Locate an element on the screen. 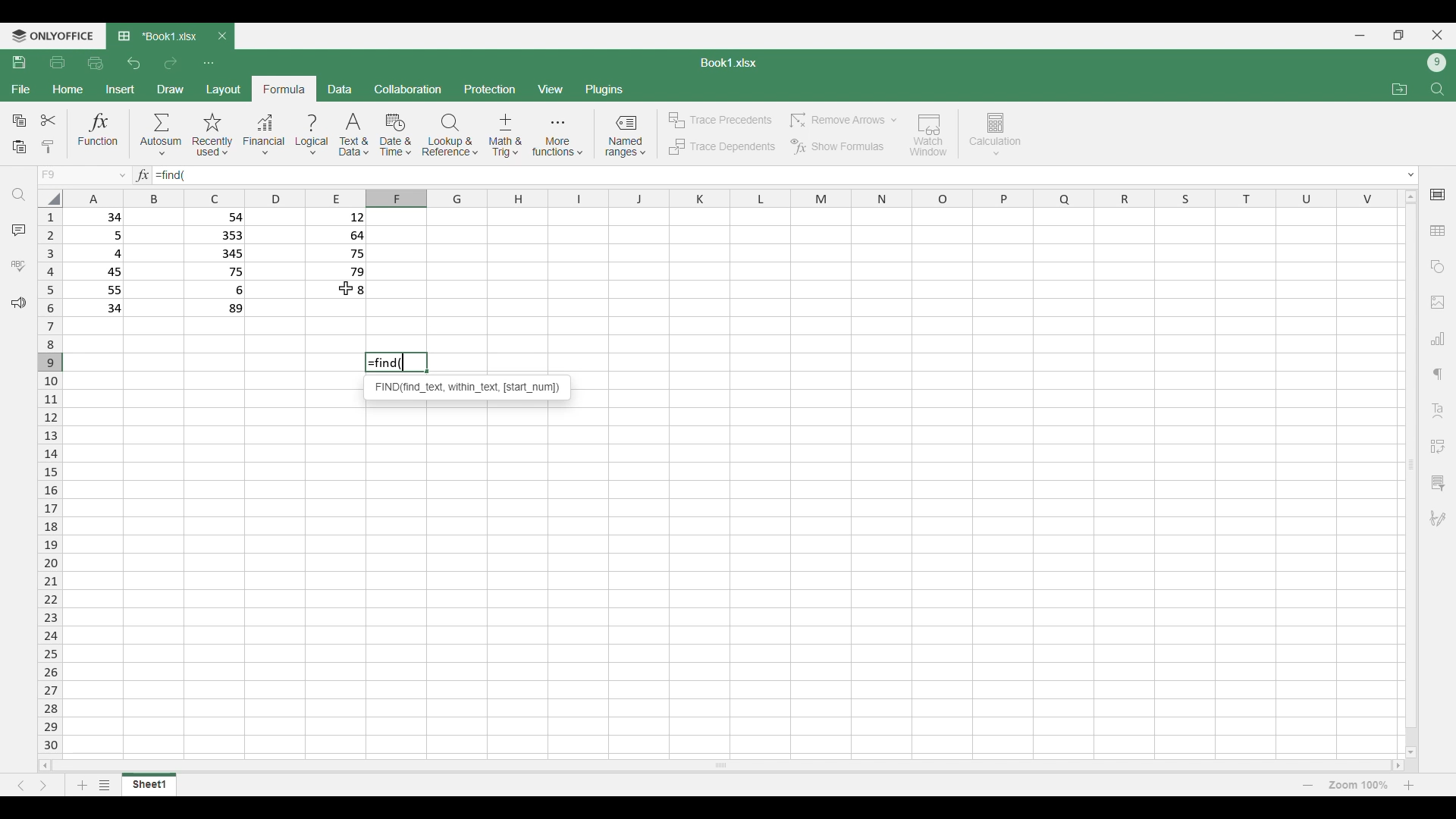  Cell settings is located at coordinates (1438, 195).